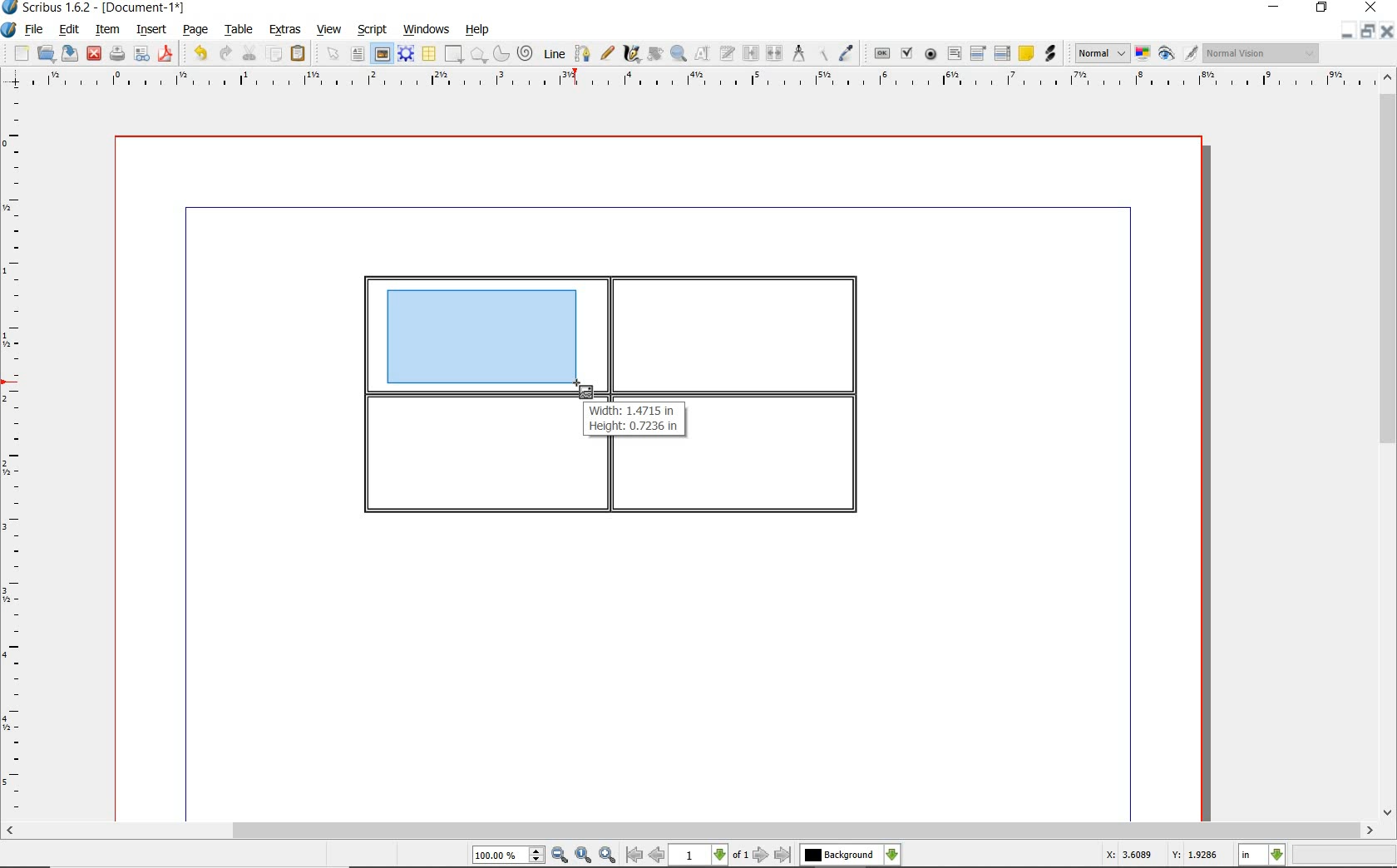 Image resolution: width=1397 pixels, height=868 pixels. I want to click on zoom to, so click(583, 856).